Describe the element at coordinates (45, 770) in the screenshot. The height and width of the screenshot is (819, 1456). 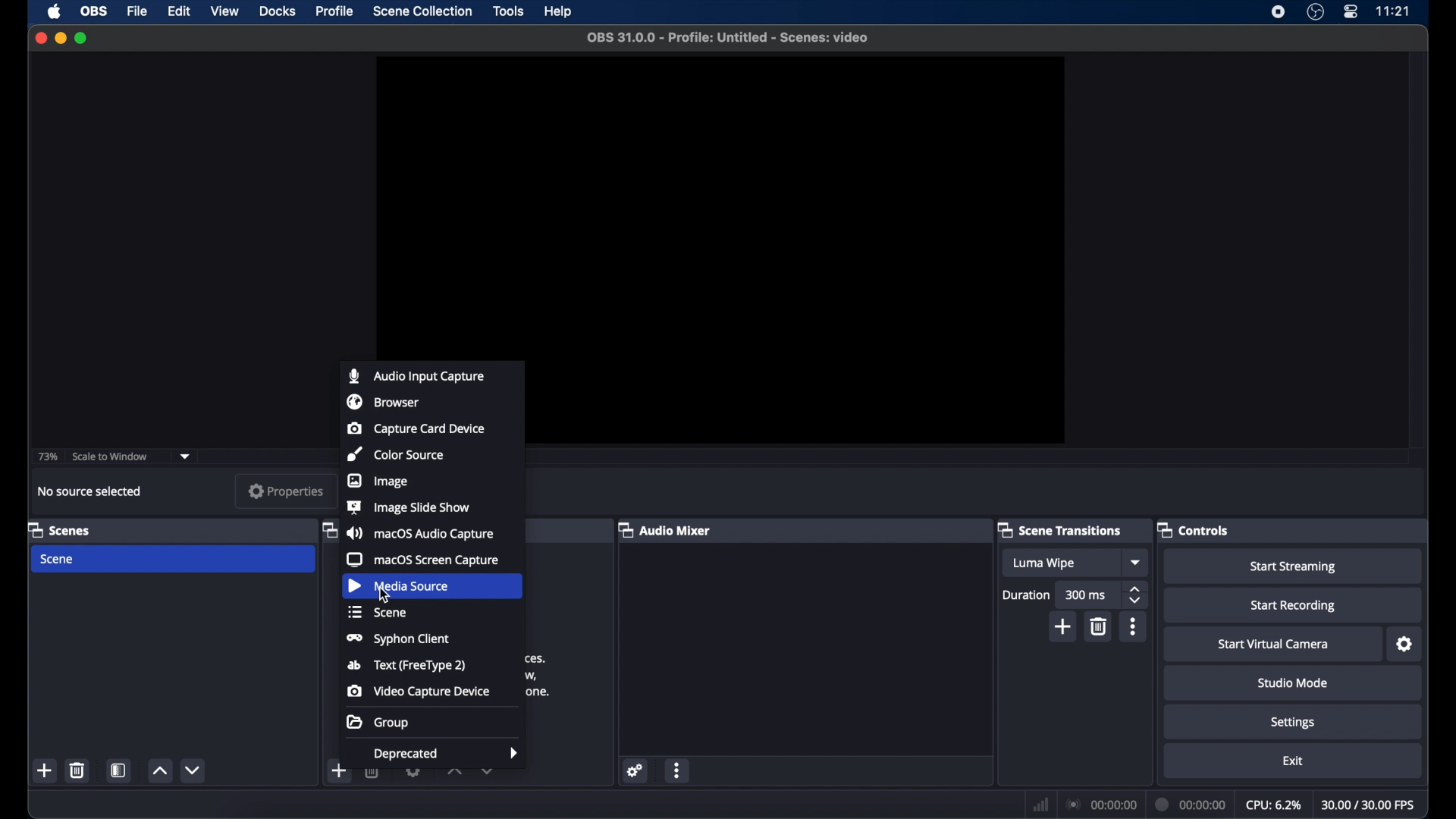
I see `add` at that location.